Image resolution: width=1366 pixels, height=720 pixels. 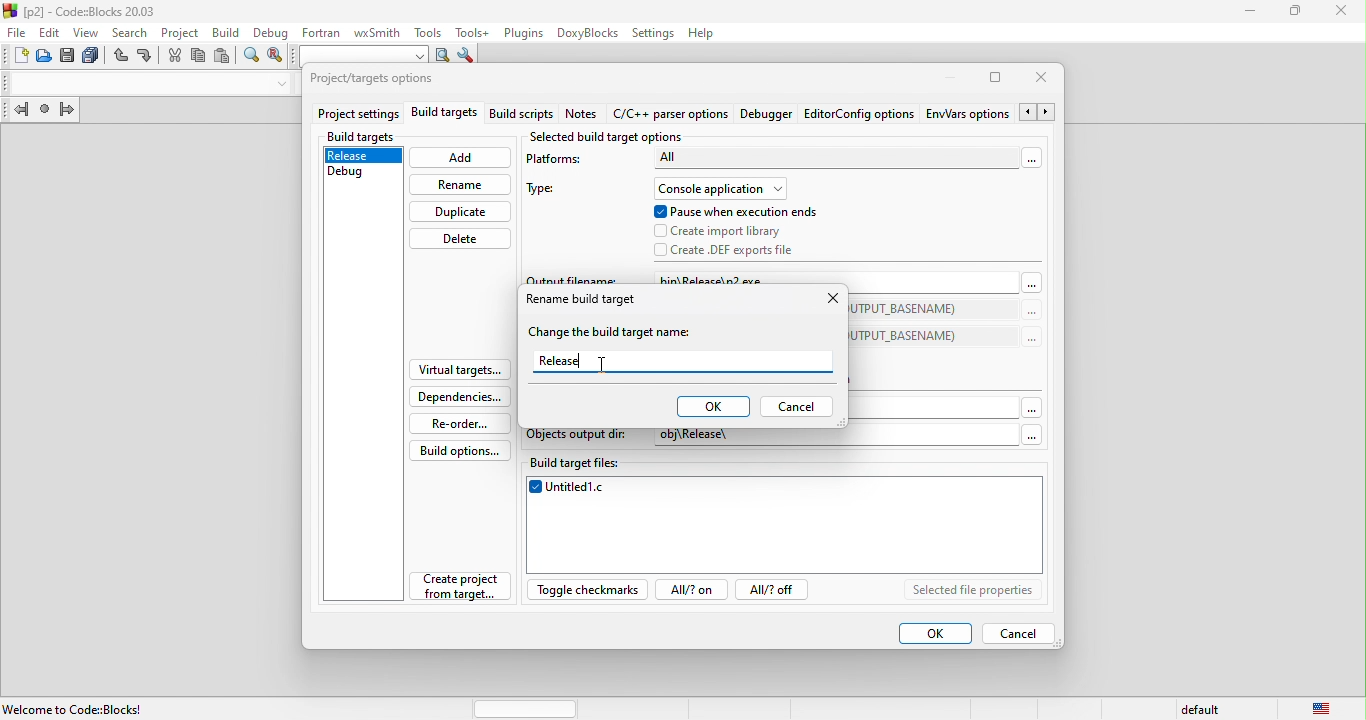 What do you see at coordinates (461, 213) in the screenshot?
I see `duplicate` at bounding box center [461, 213].